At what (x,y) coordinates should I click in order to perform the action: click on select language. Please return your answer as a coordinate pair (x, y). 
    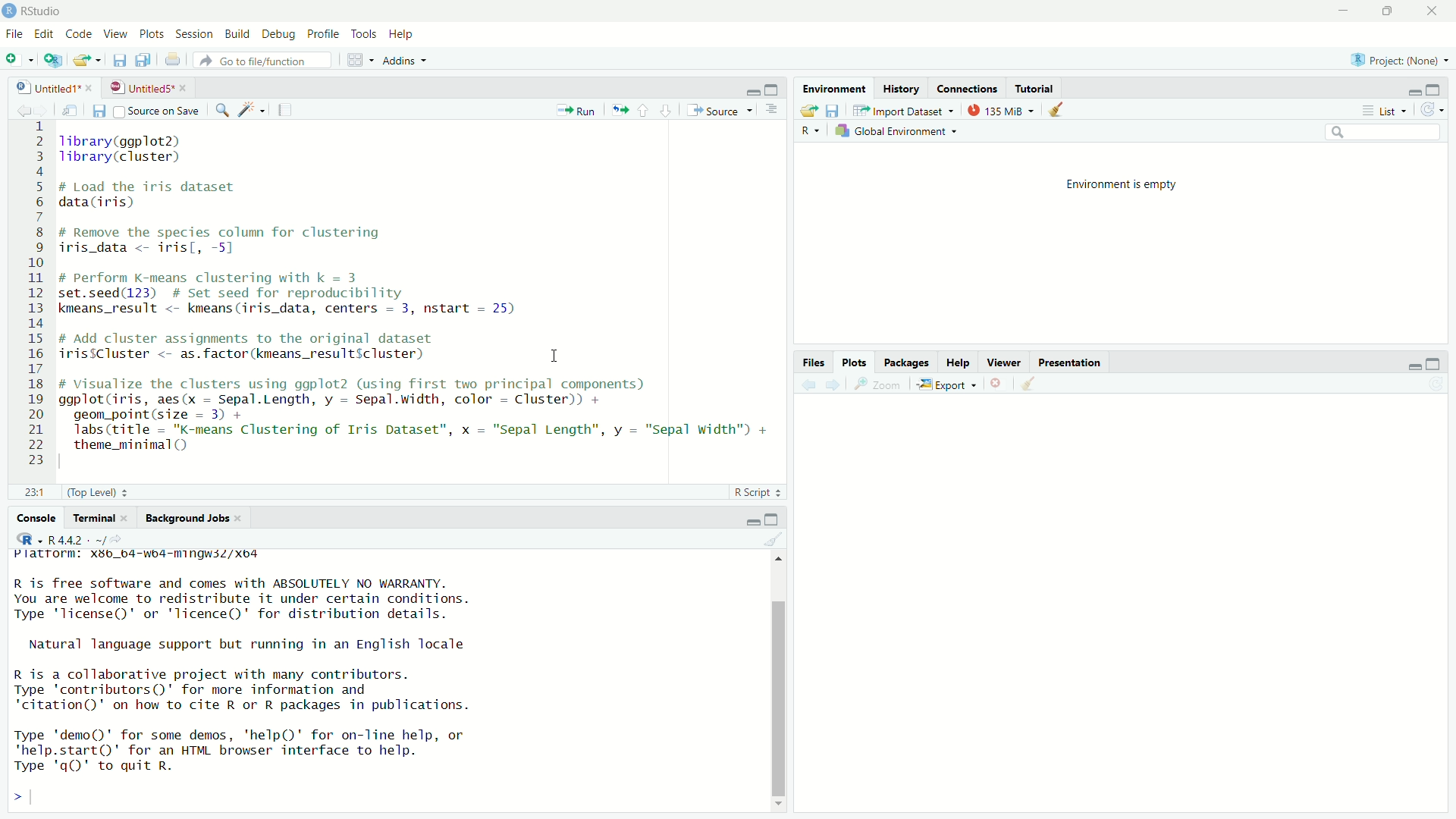
    Looking at the image, I should click on (812, 131).